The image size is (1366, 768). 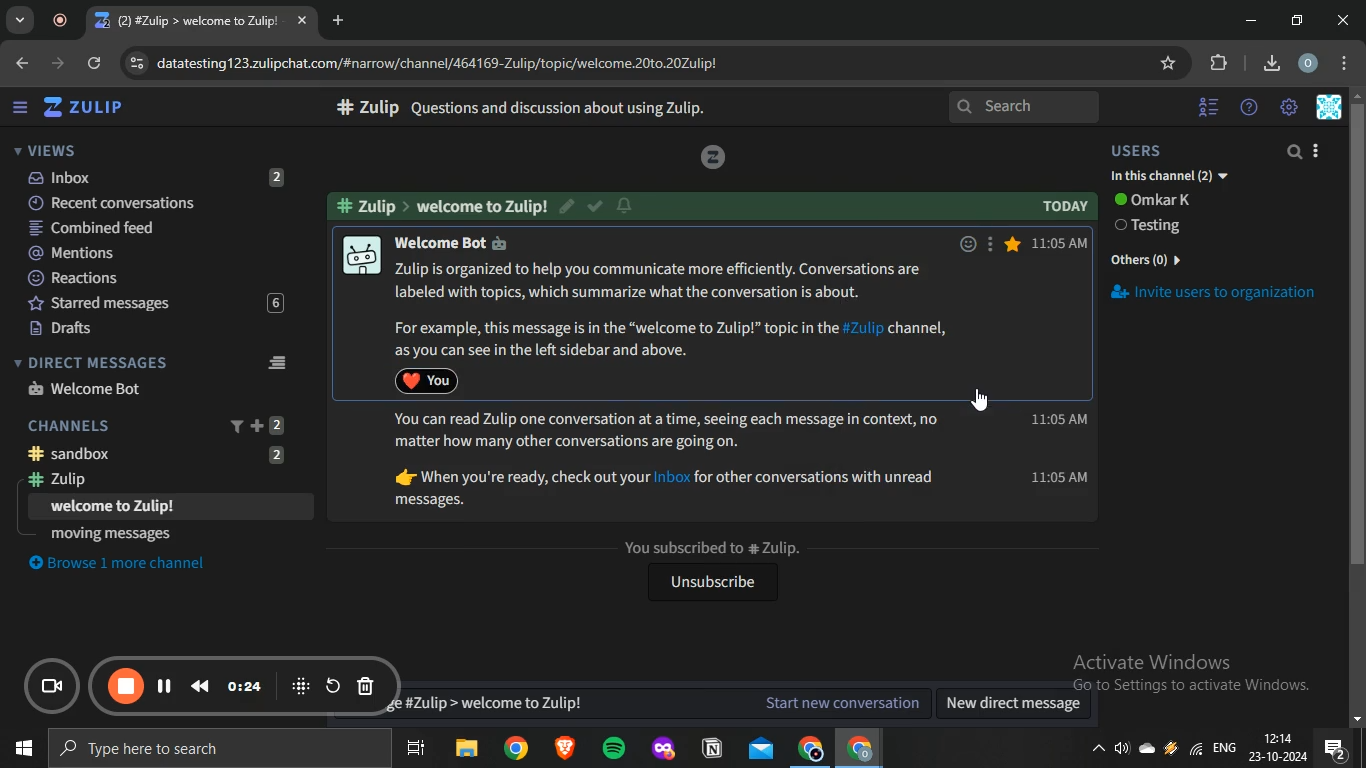 What do you see at coordinates (1170, 177) in the screenshot?
I see `in this channel` at bounding box center [1170, 177].